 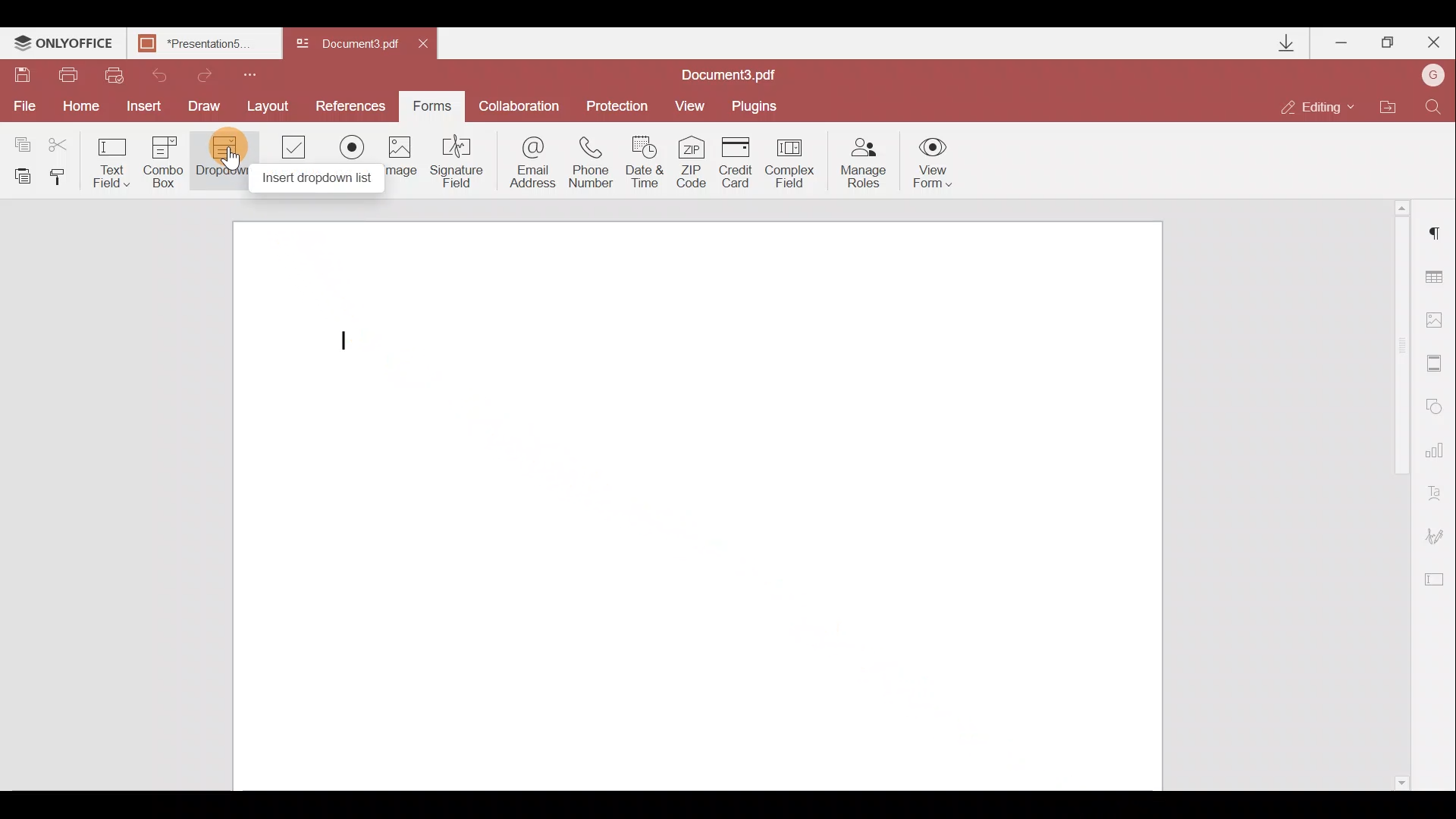 What do you see at coordinates (1439, 497) in the screenshot?
I see `Text Art settings` at bounding box center [1439, 497].